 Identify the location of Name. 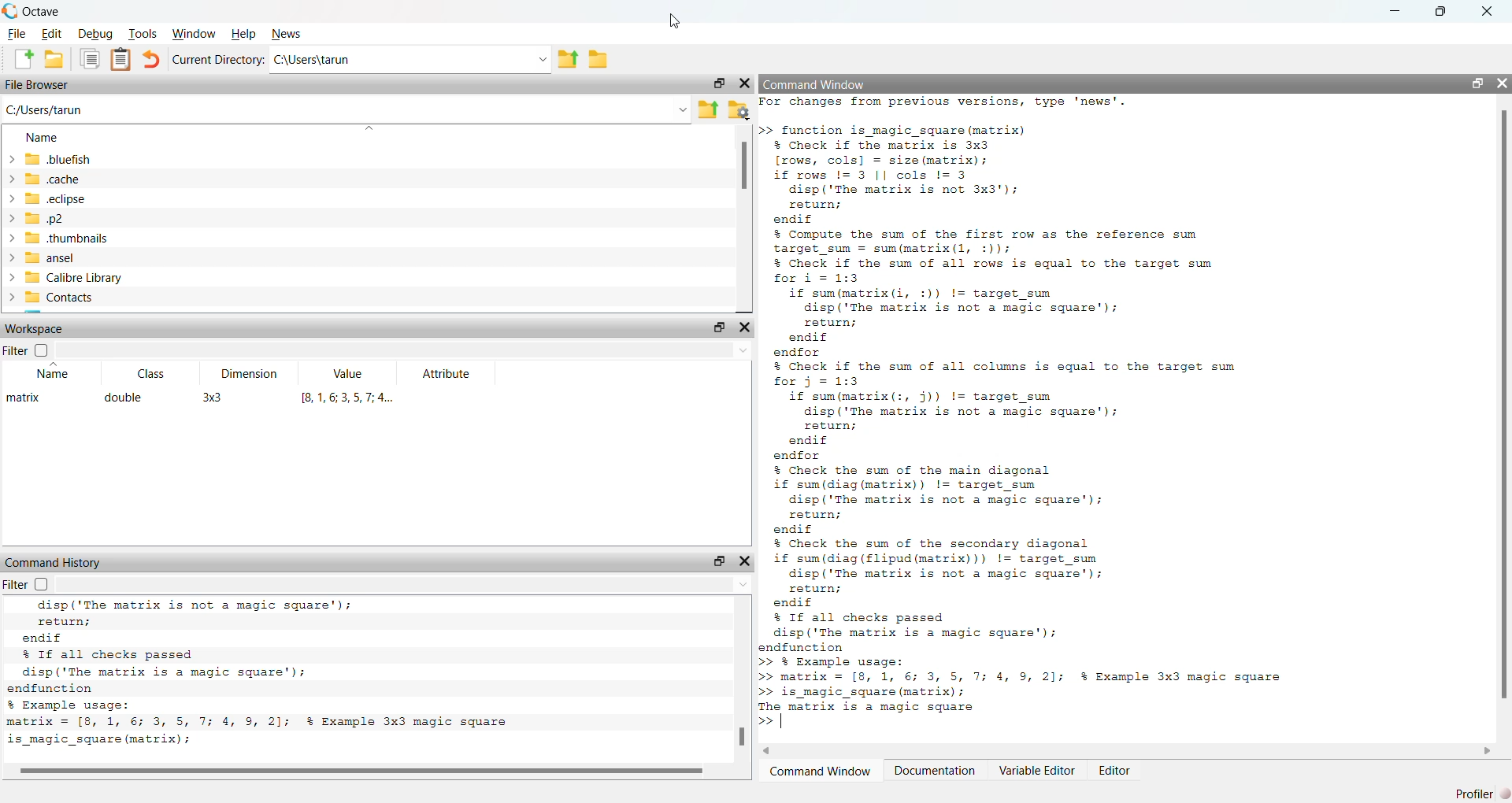
(54, 370).